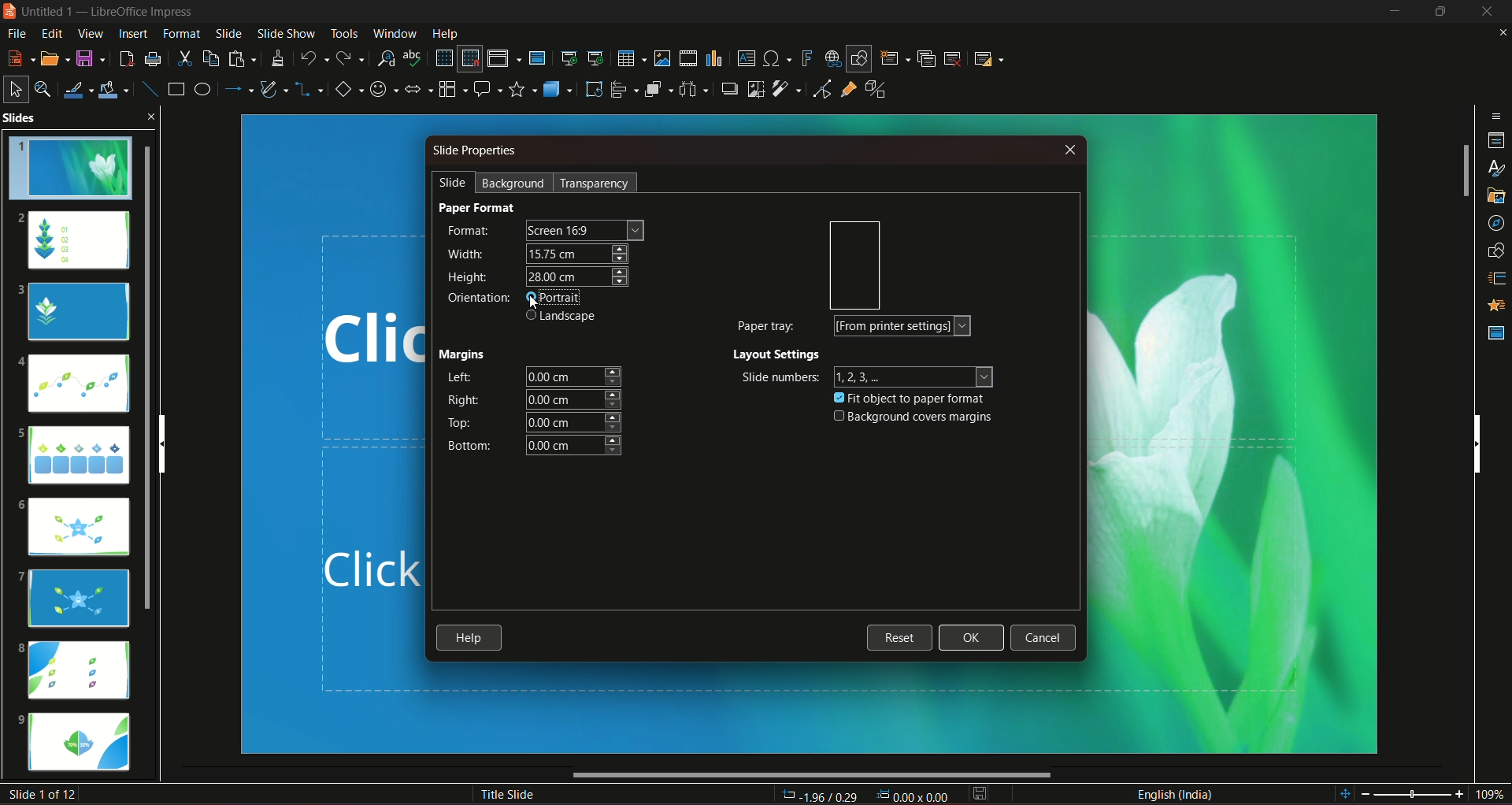 The width and height of the screenshot is (1512, 805). I want to click on slide 8, so click(78, 670).